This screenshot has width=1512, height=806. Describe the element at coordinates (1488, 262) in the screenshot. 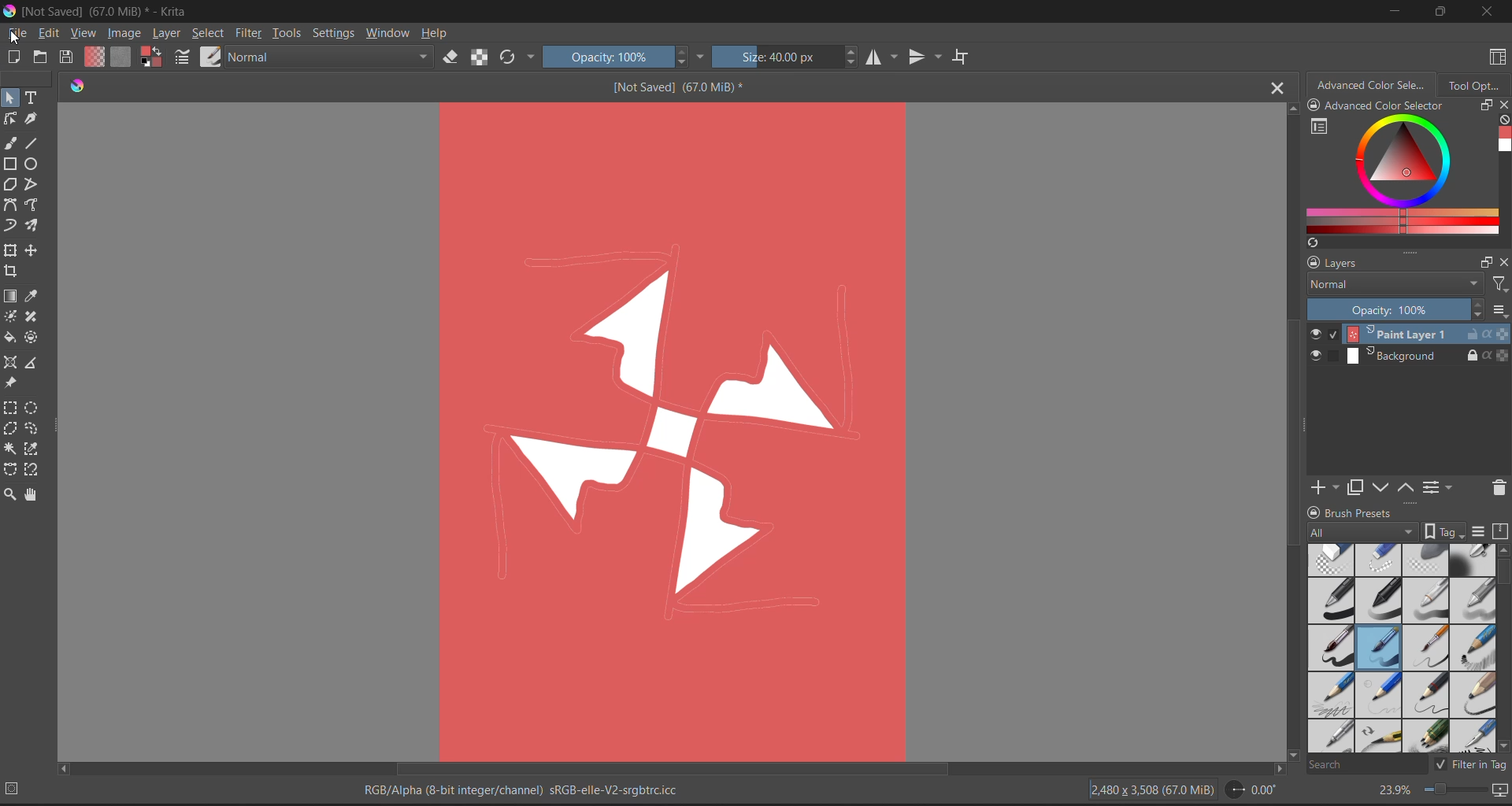

I see `float docker` at that location.